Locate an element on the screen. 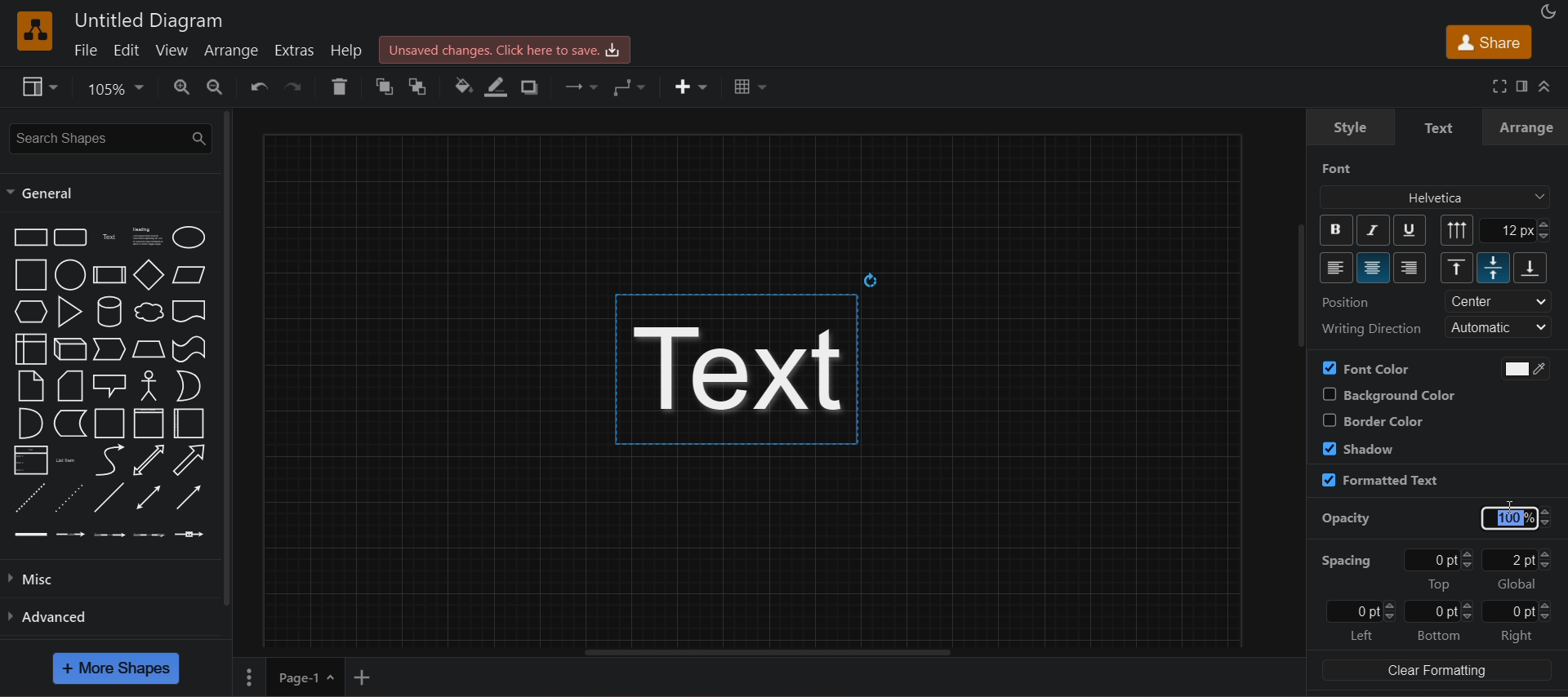 The image size is (1568, 697). heading is located at coordinates (147, 238).